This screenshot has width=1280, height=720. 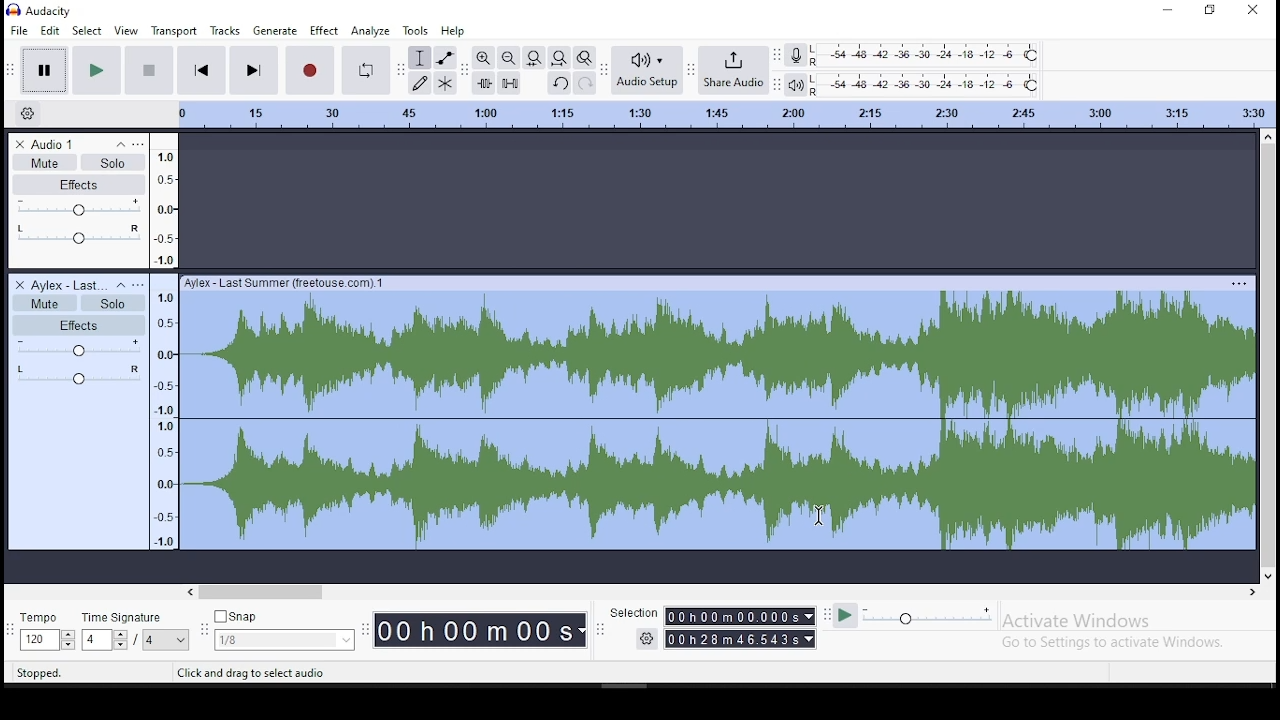 I want to click on effect, so click(x=324, y=31).